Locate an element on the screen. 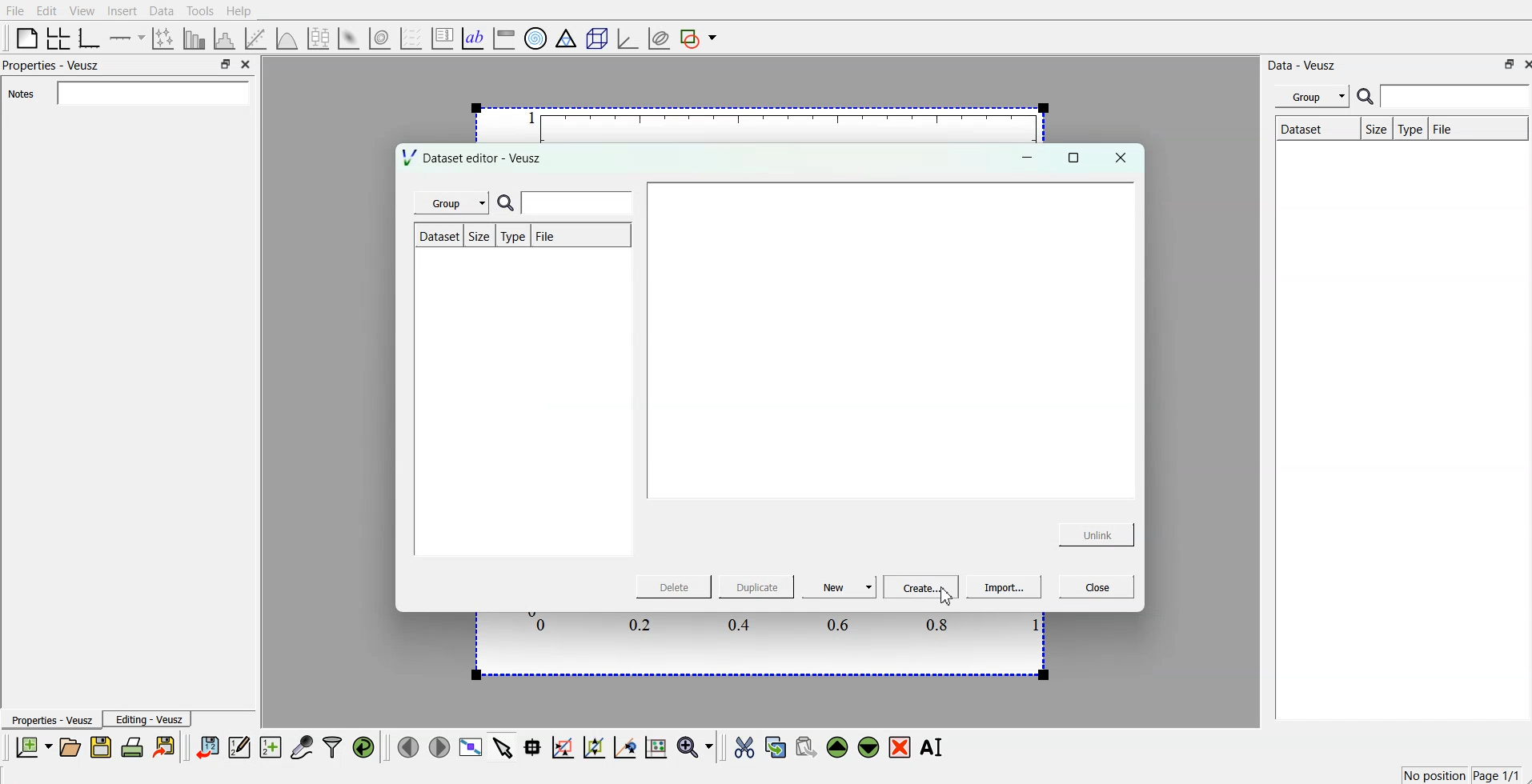 The width and height of the screenshot is (1532, 784). plot covariance ellipses is located at coordinates (658, 37).